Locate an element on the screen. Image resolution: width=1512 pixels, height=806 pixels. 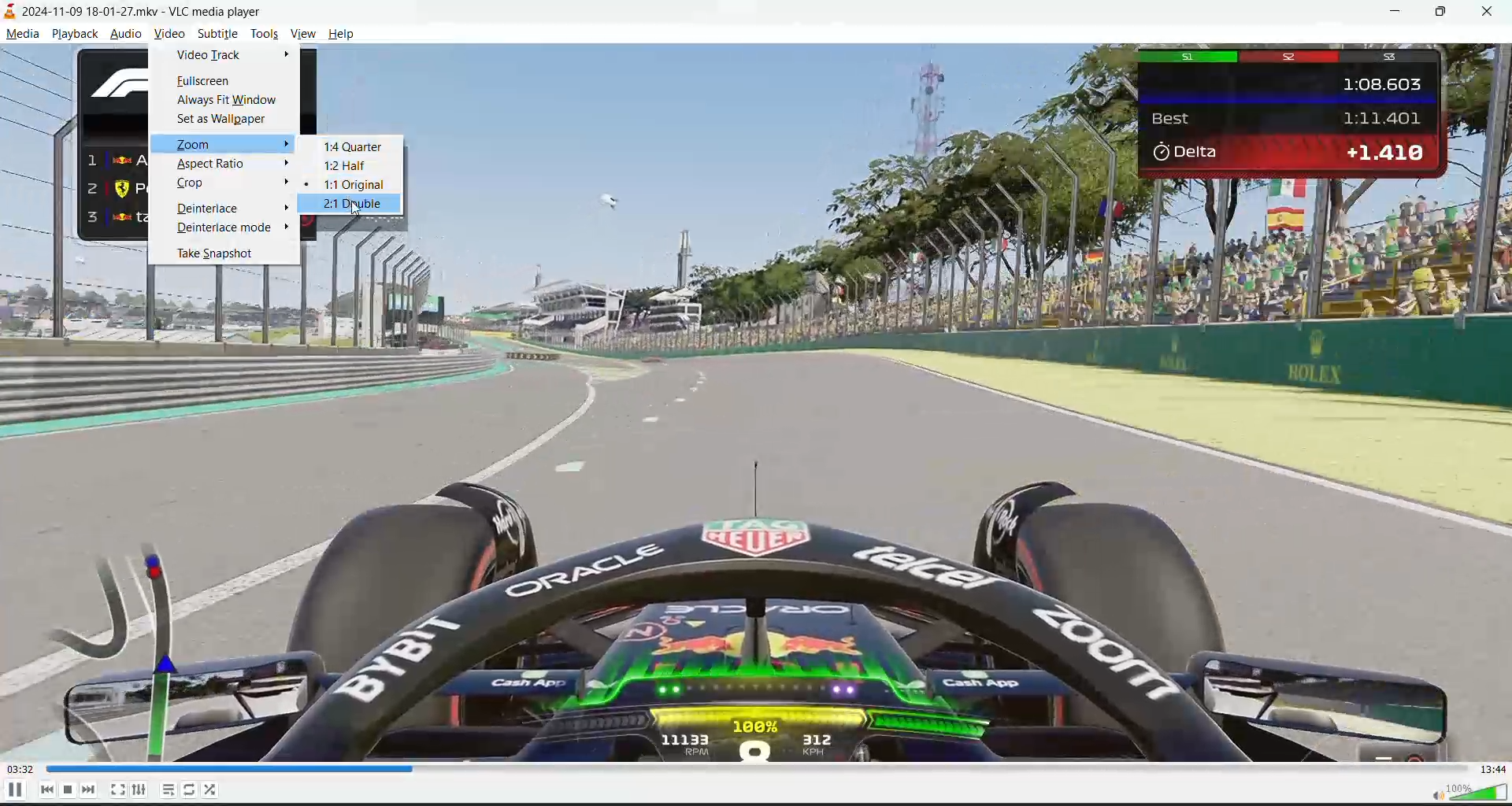
aspect ratio is located at coordinates (226, 165).